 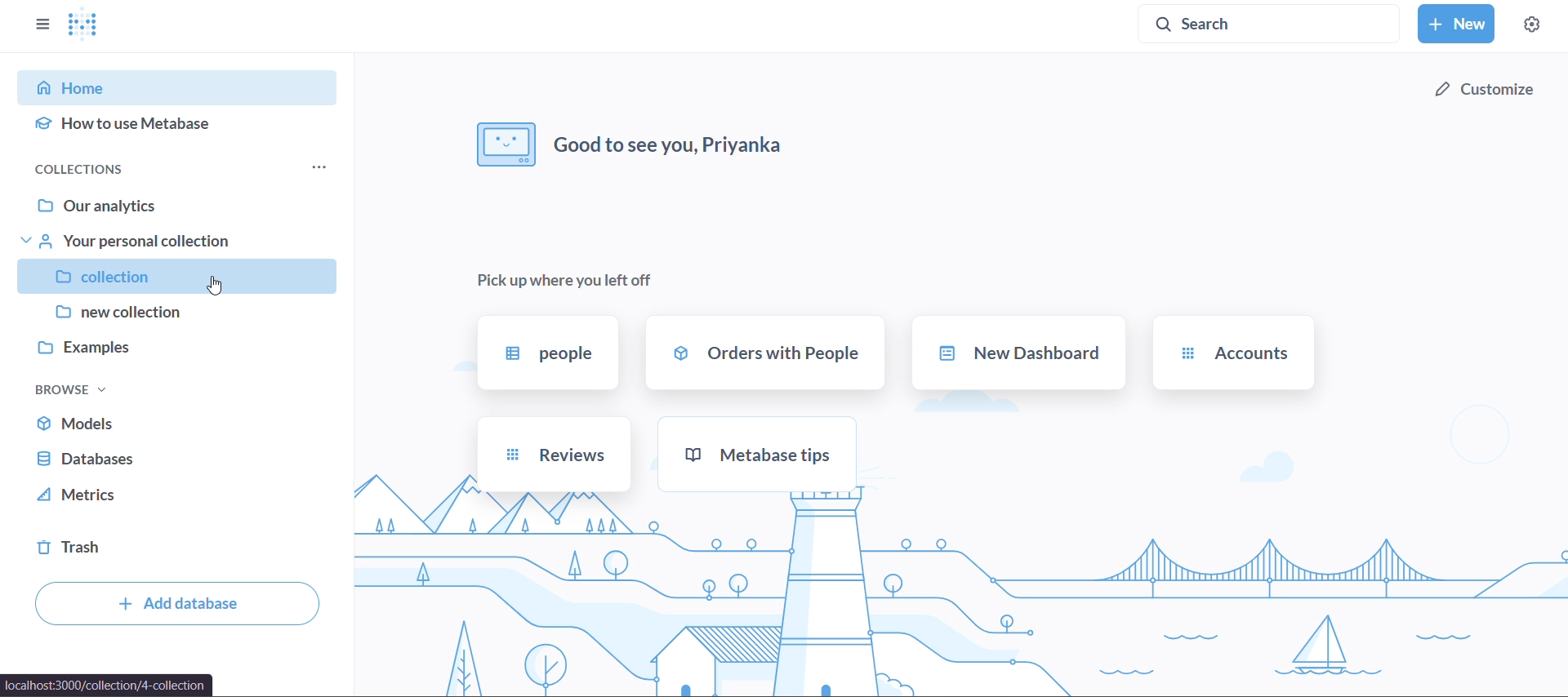 I want to click on settings, so click(x=1532, y=22).